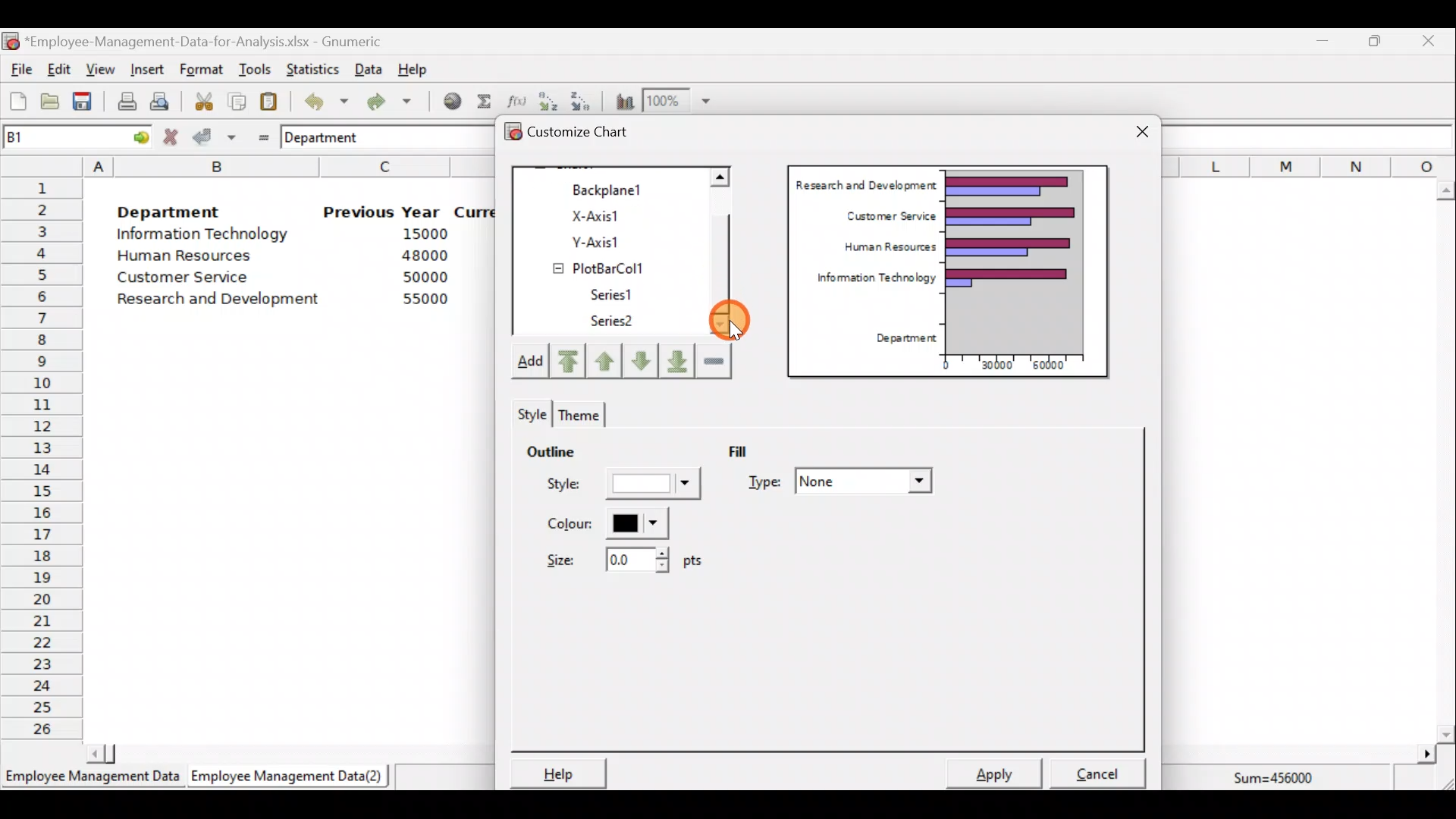 The image size is (1456, 819). What do you see at coordinates (199, 99) in the screenshot?
I see `Cut the selection` at bounding box center [199, 99].